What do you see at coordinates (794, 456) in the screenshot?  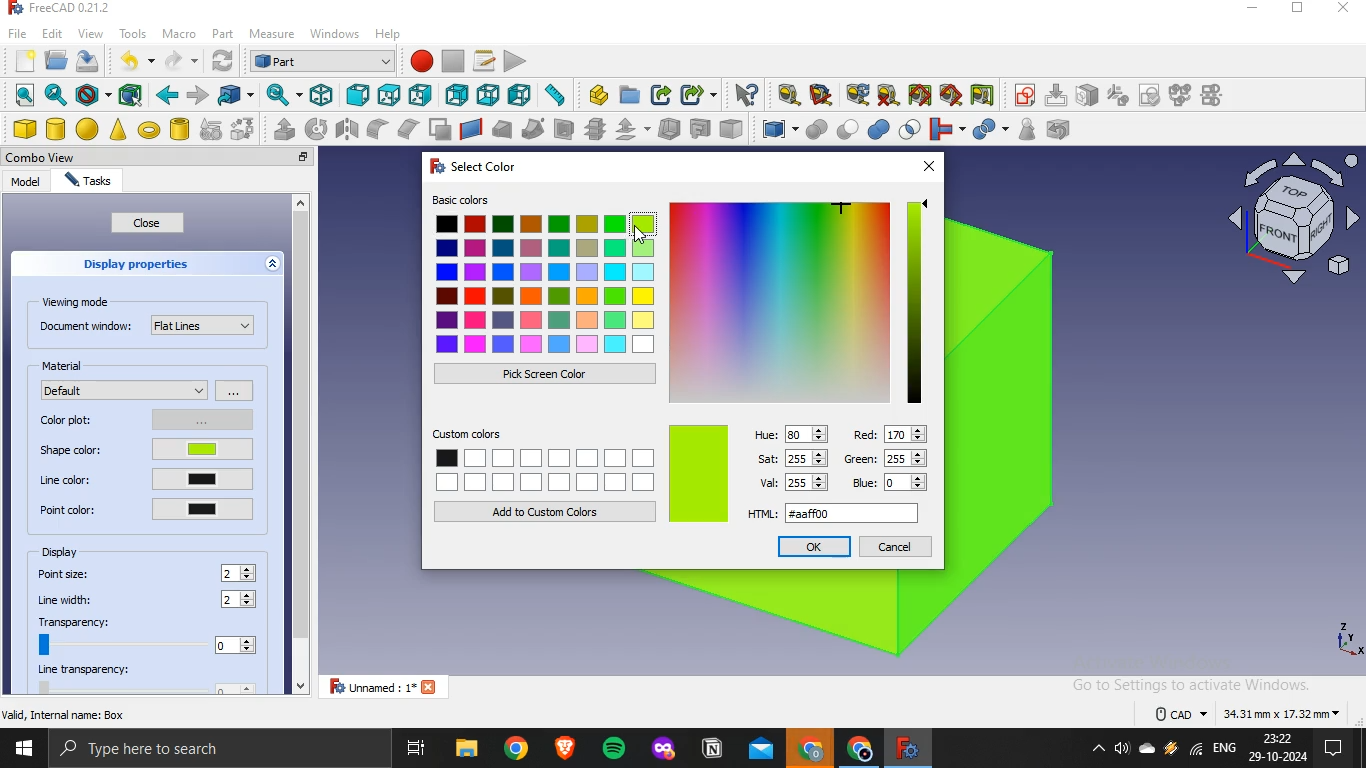 I see `sat` at bounding box center [794, 456].